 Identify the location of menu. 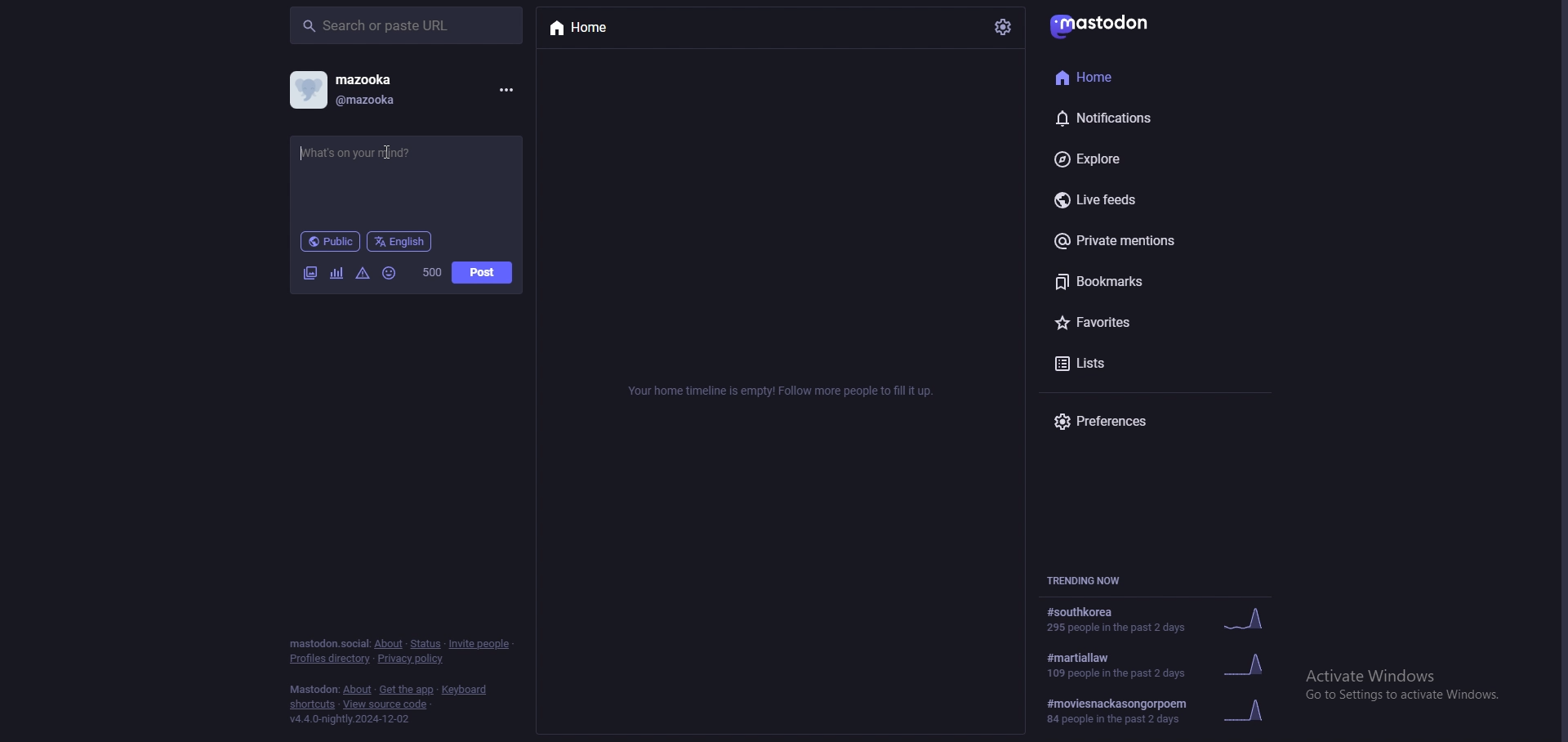
(508, 90).